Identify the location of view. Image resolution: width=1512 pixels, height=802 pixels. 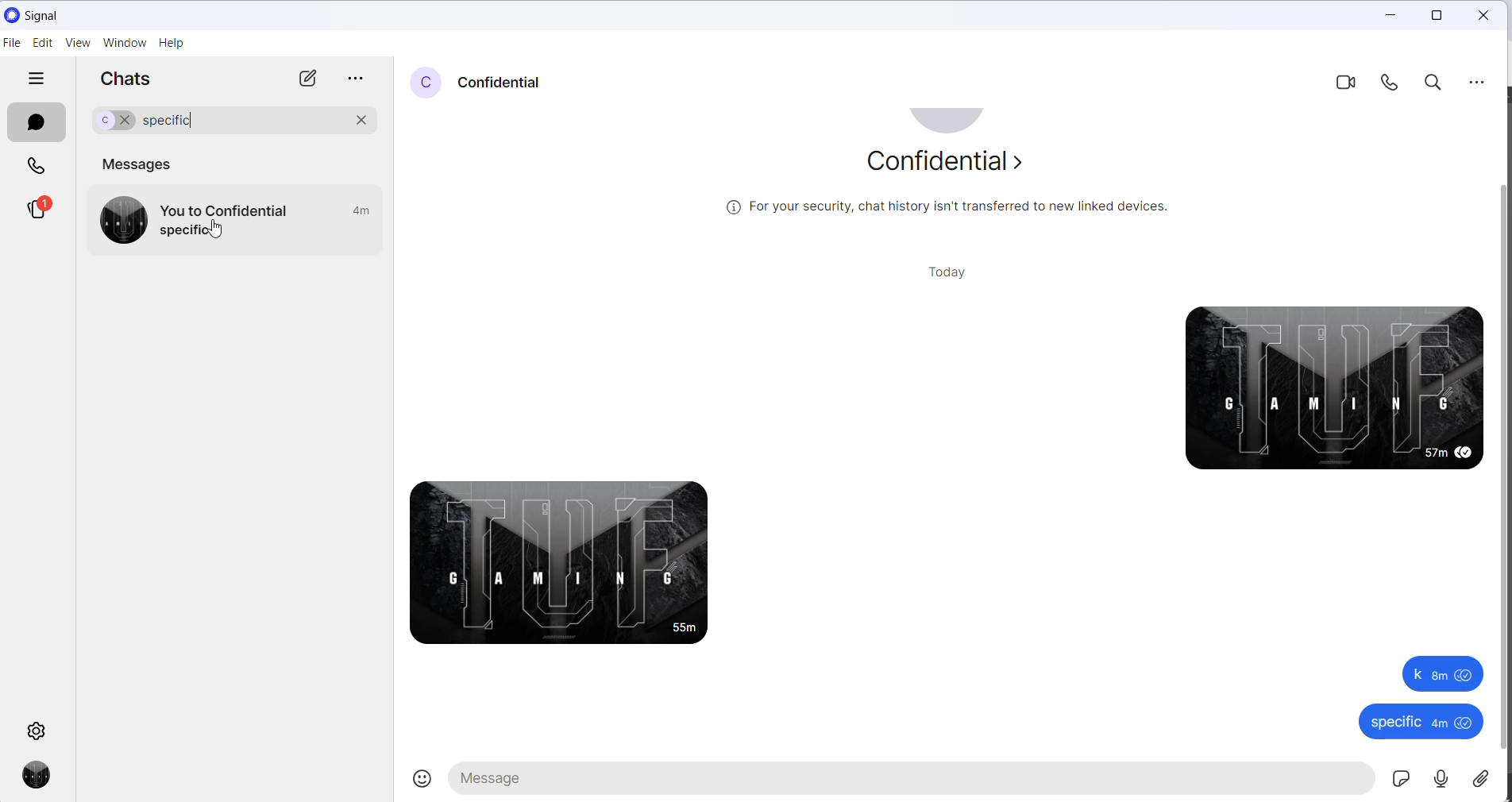
(82, 44).